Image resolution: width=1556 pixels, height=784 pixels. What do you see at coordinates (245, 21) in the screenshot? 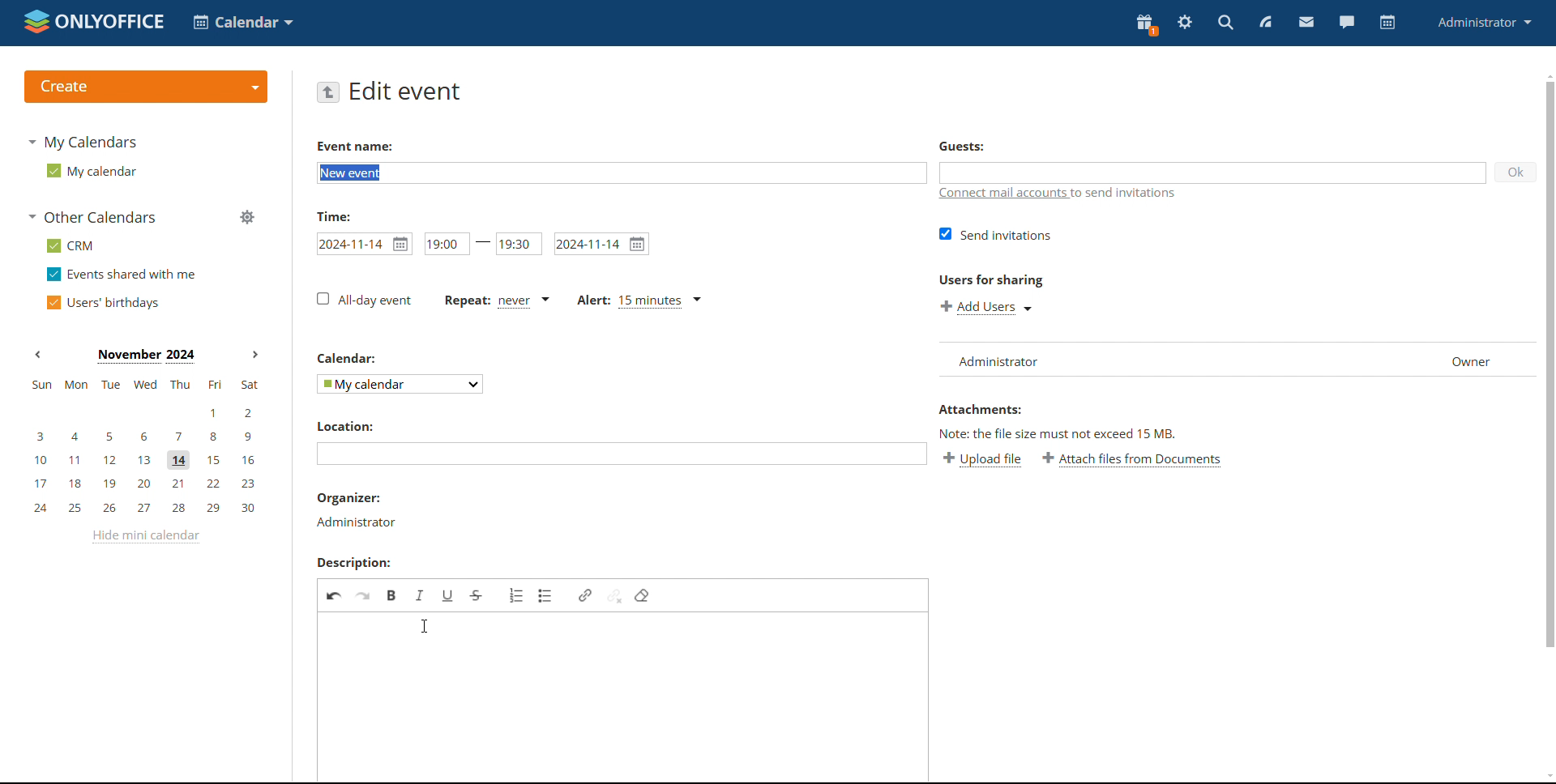
I see `select application` at bounding box center [245, 21].